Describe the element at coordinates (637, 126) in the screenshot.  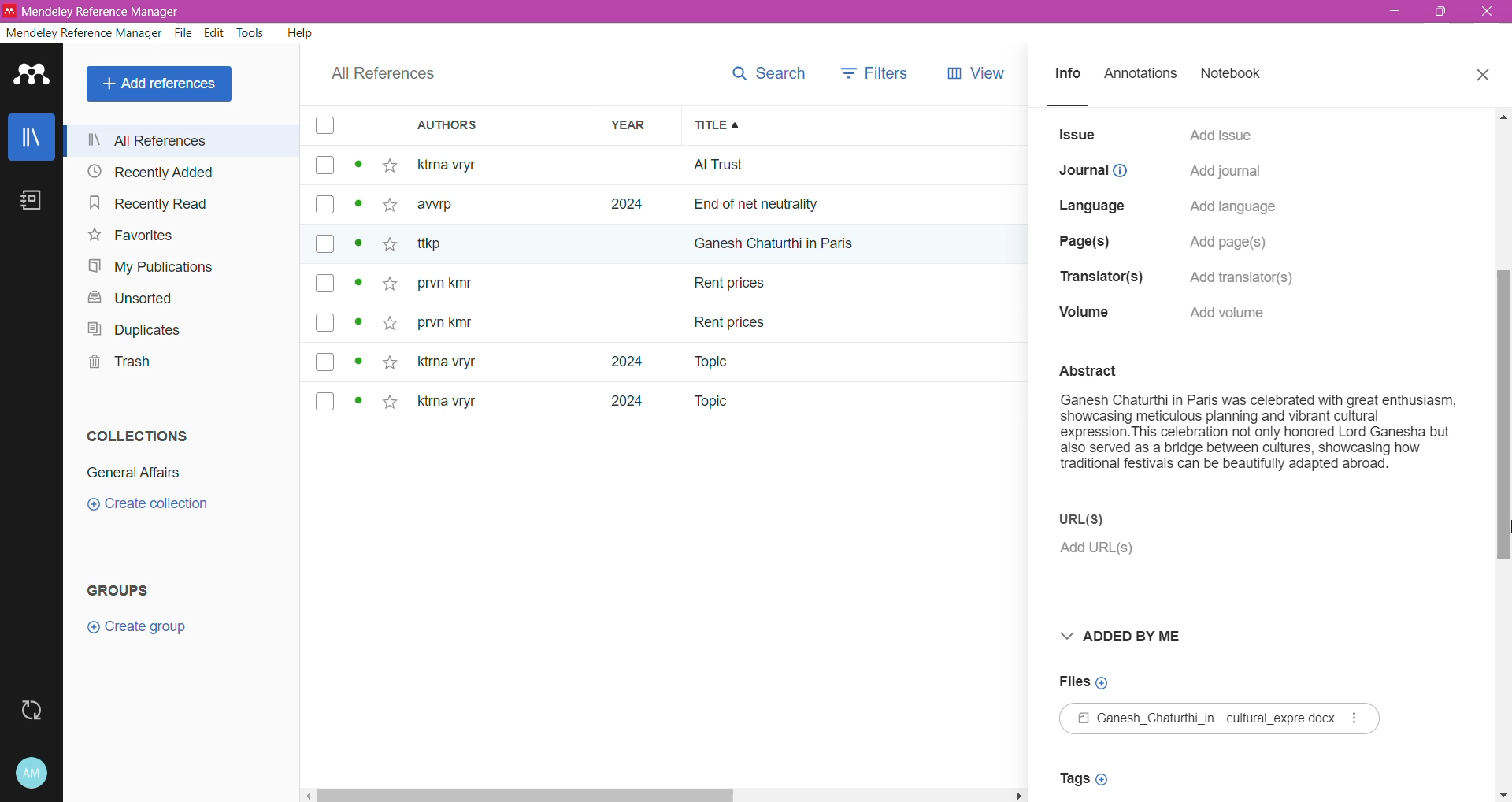
I see `Year` at that location.